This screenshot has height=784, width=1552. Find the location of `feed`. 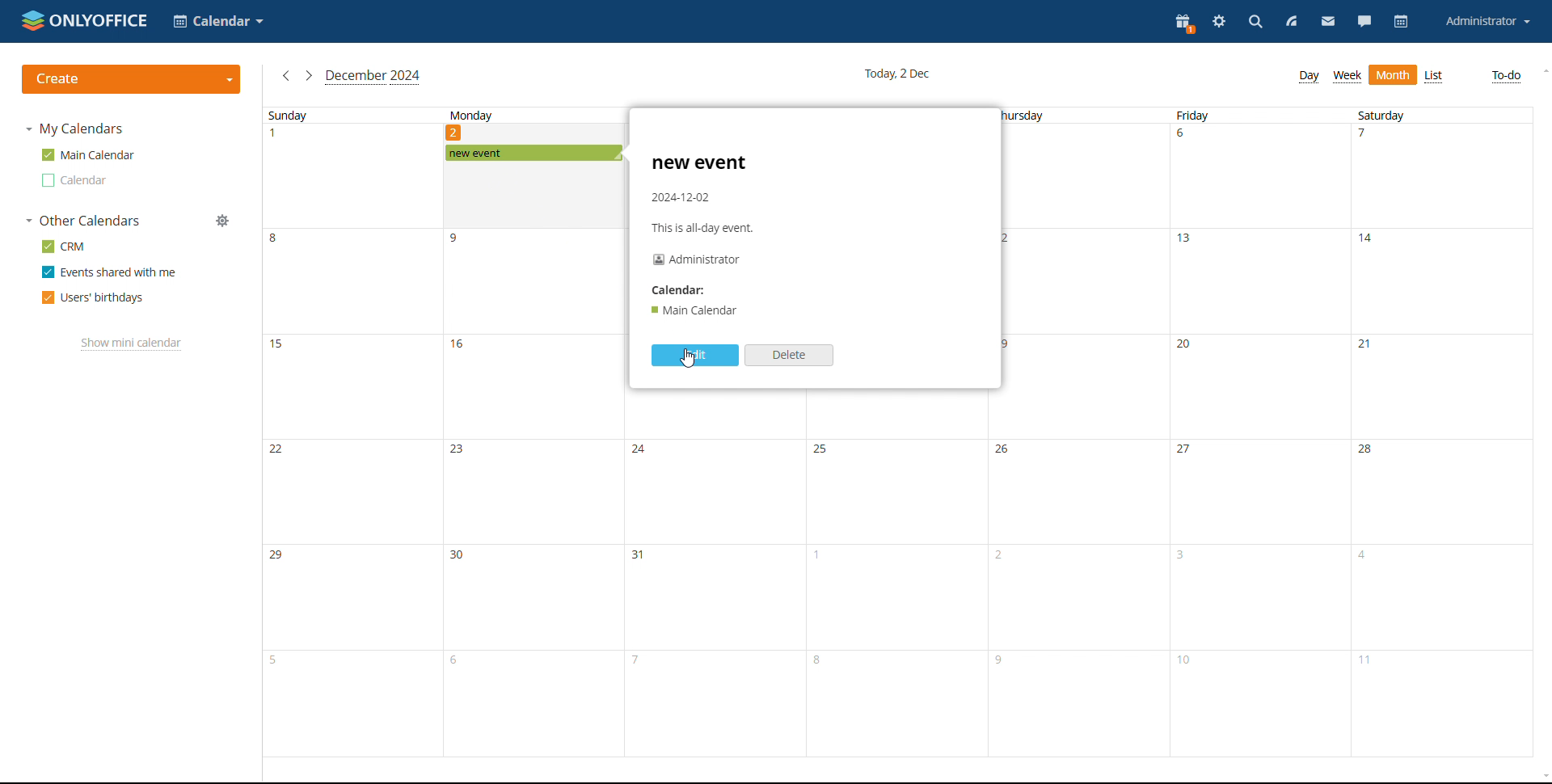

feed is located at coordinates (1292, 23).